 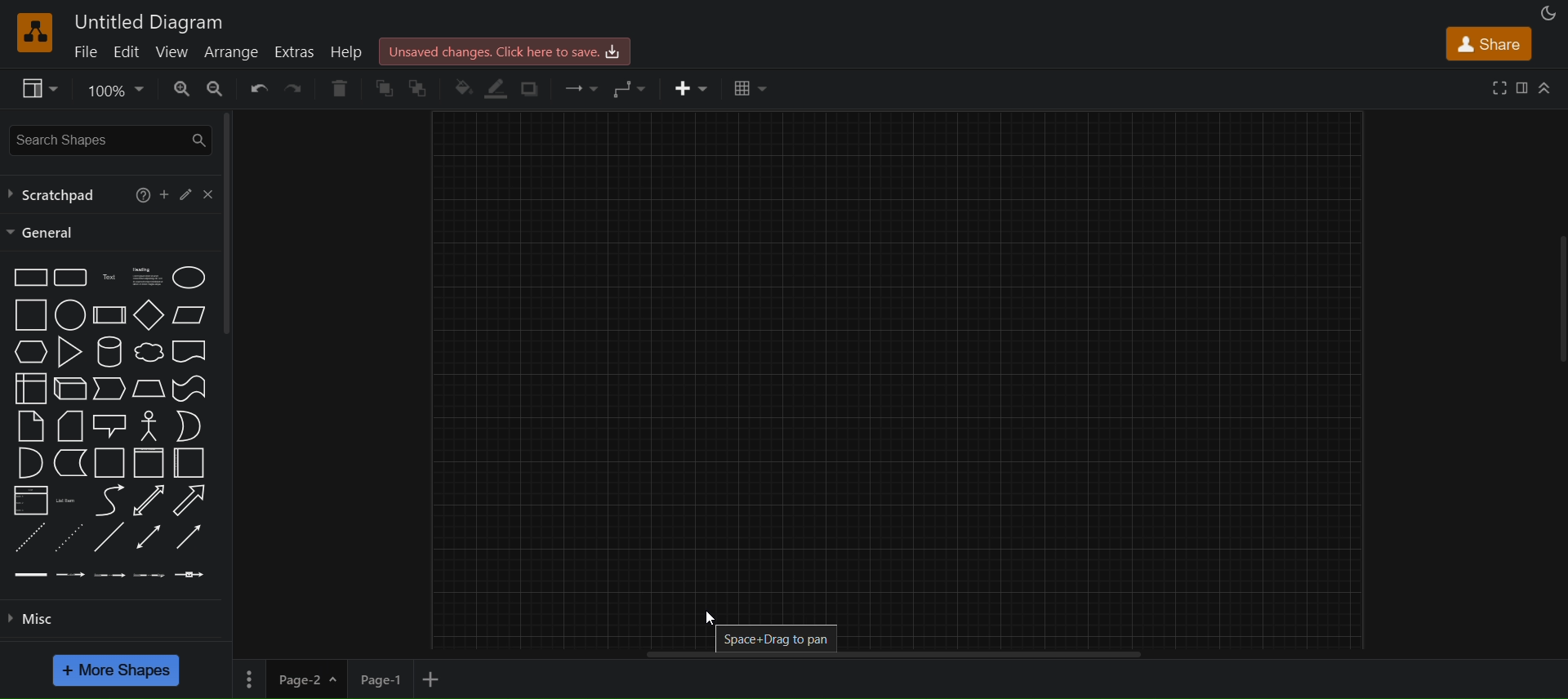 I want to click on close, so click(x=207, y=194).